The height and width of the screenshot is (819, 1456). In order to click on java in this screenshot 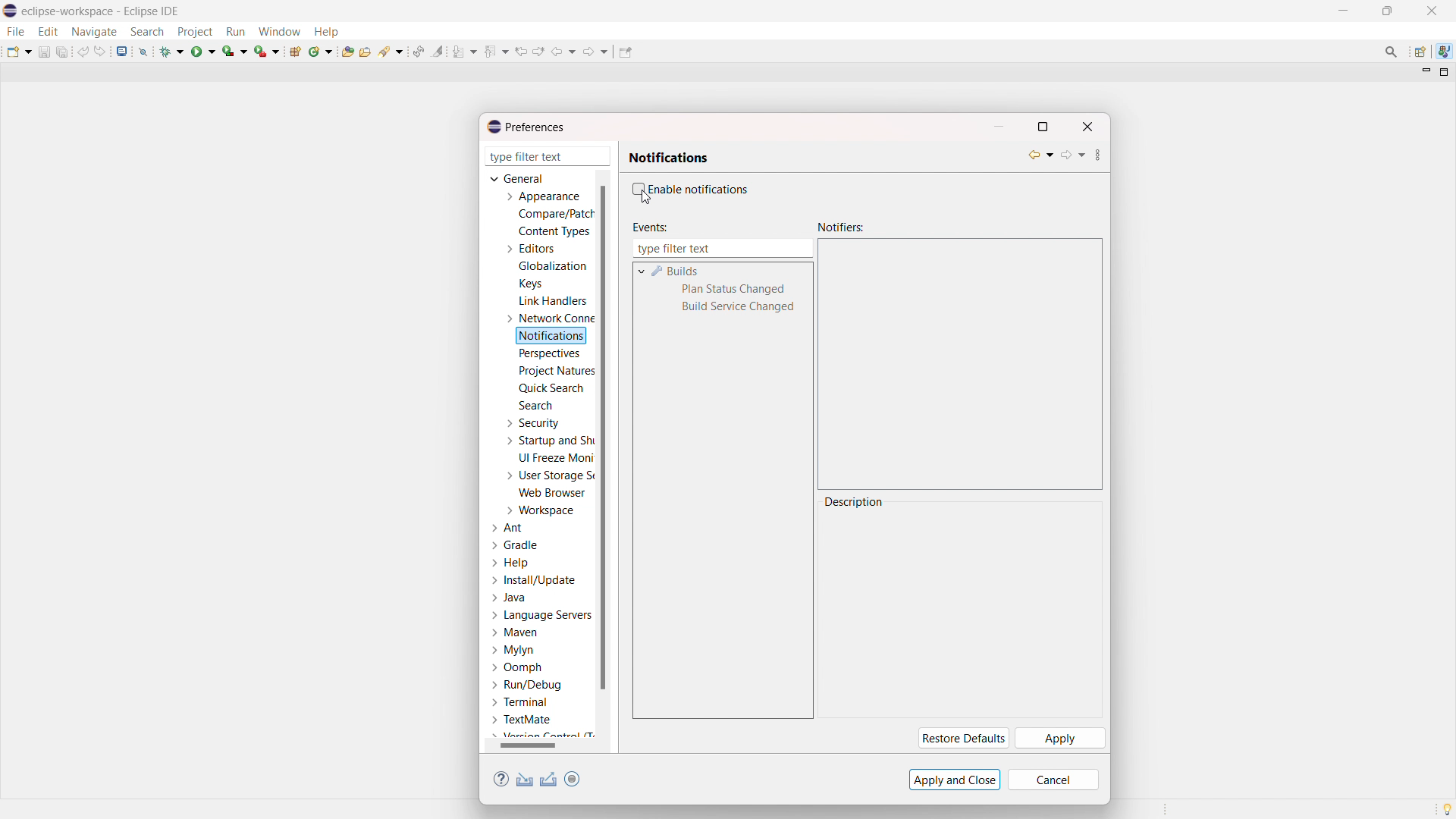, I will do `click(510, 598)`.